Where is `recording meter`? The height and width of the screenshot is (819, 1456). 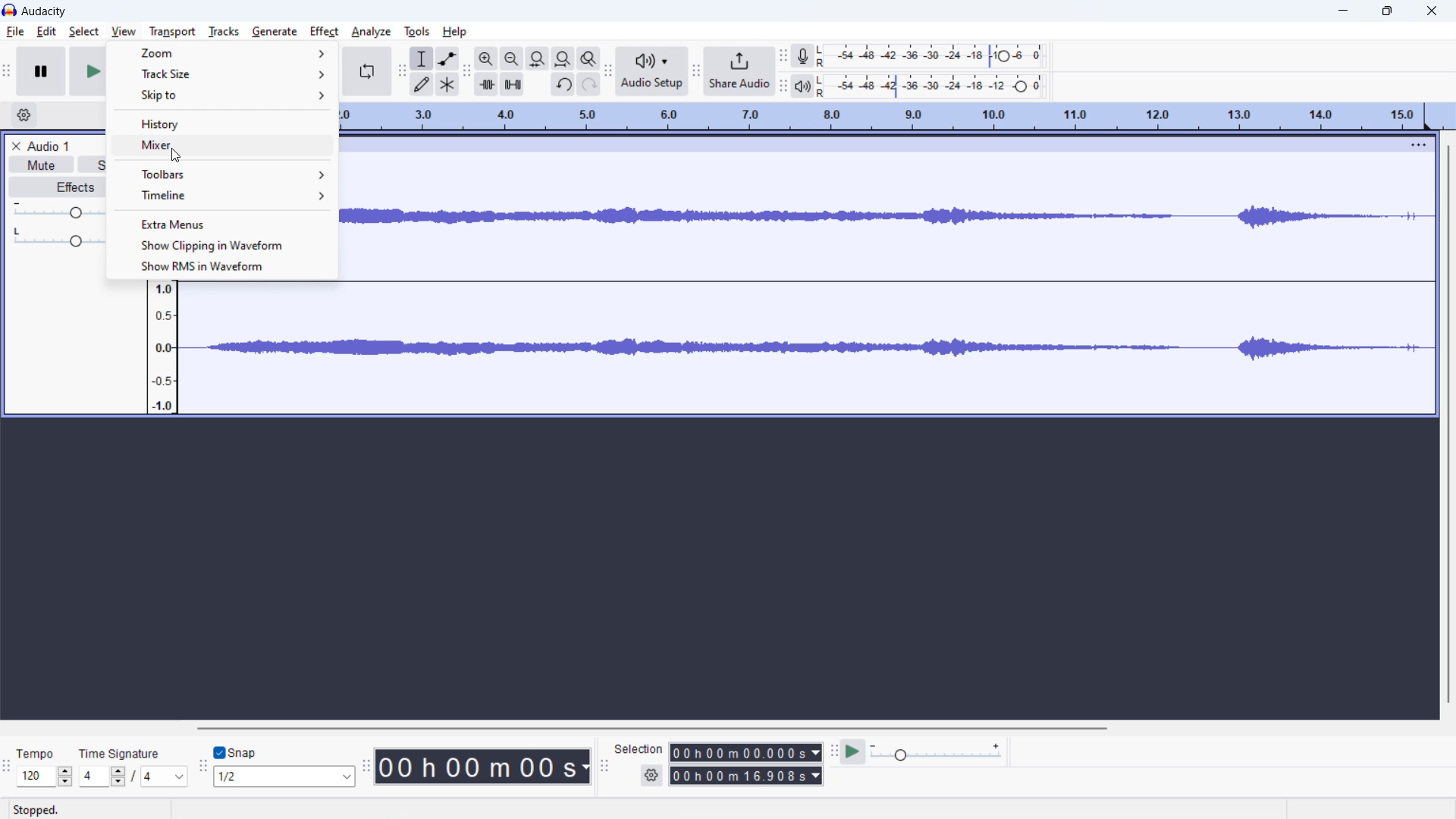 recording meter is located at coordinates (801, 57).